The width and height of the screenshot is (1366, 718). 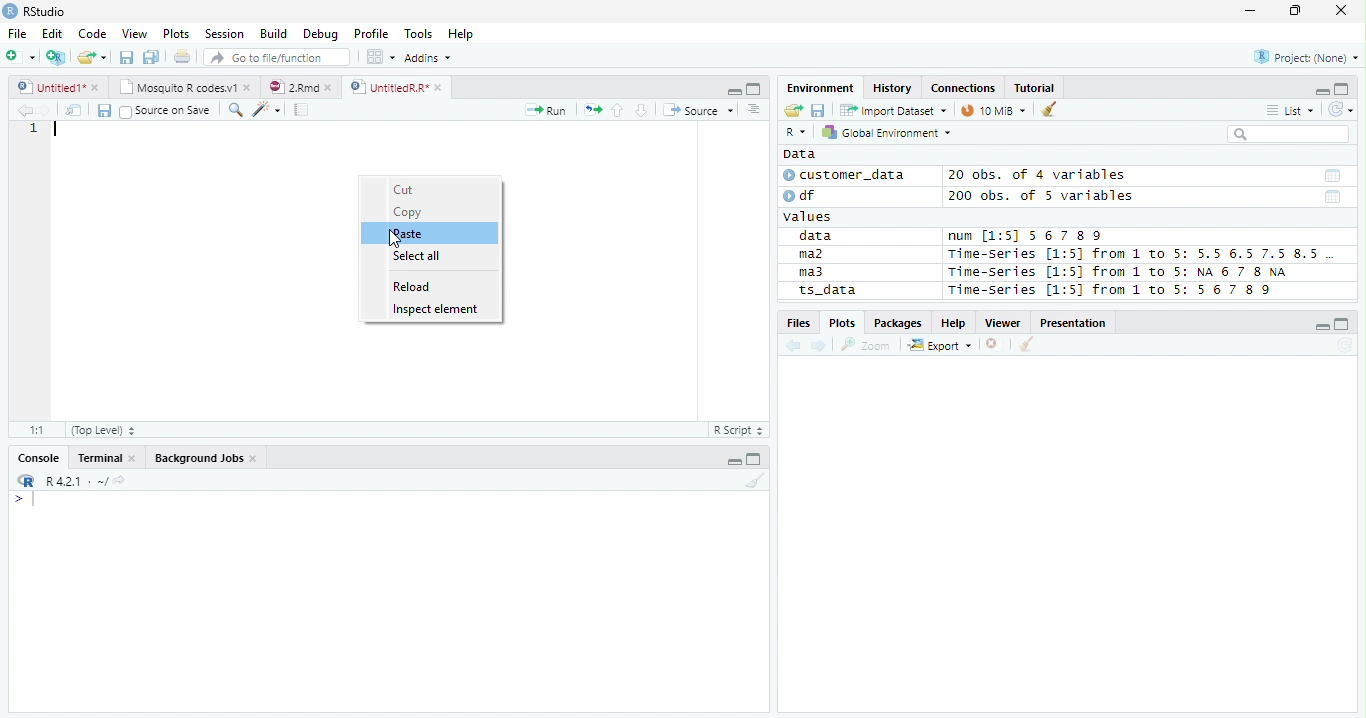 What do you see at coordinates (887, 132) in the screenshot?
I see `Global Environment` at bounding box center [887, 132].